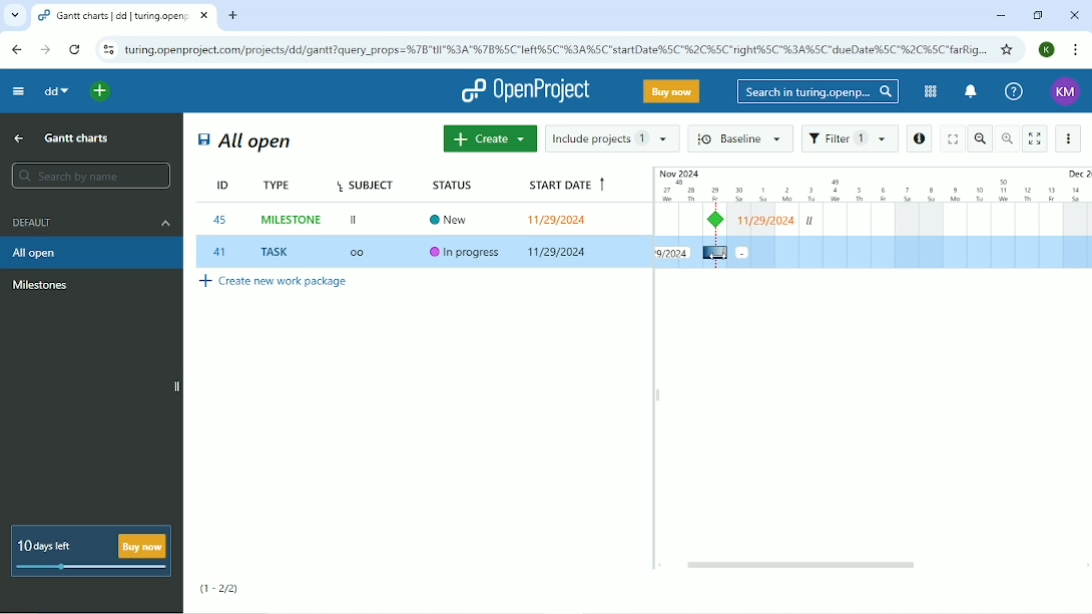  What do you see at coordinates (15, 15) in the screenshot?
I see `Search tabs` at bounding box center [15, 15].